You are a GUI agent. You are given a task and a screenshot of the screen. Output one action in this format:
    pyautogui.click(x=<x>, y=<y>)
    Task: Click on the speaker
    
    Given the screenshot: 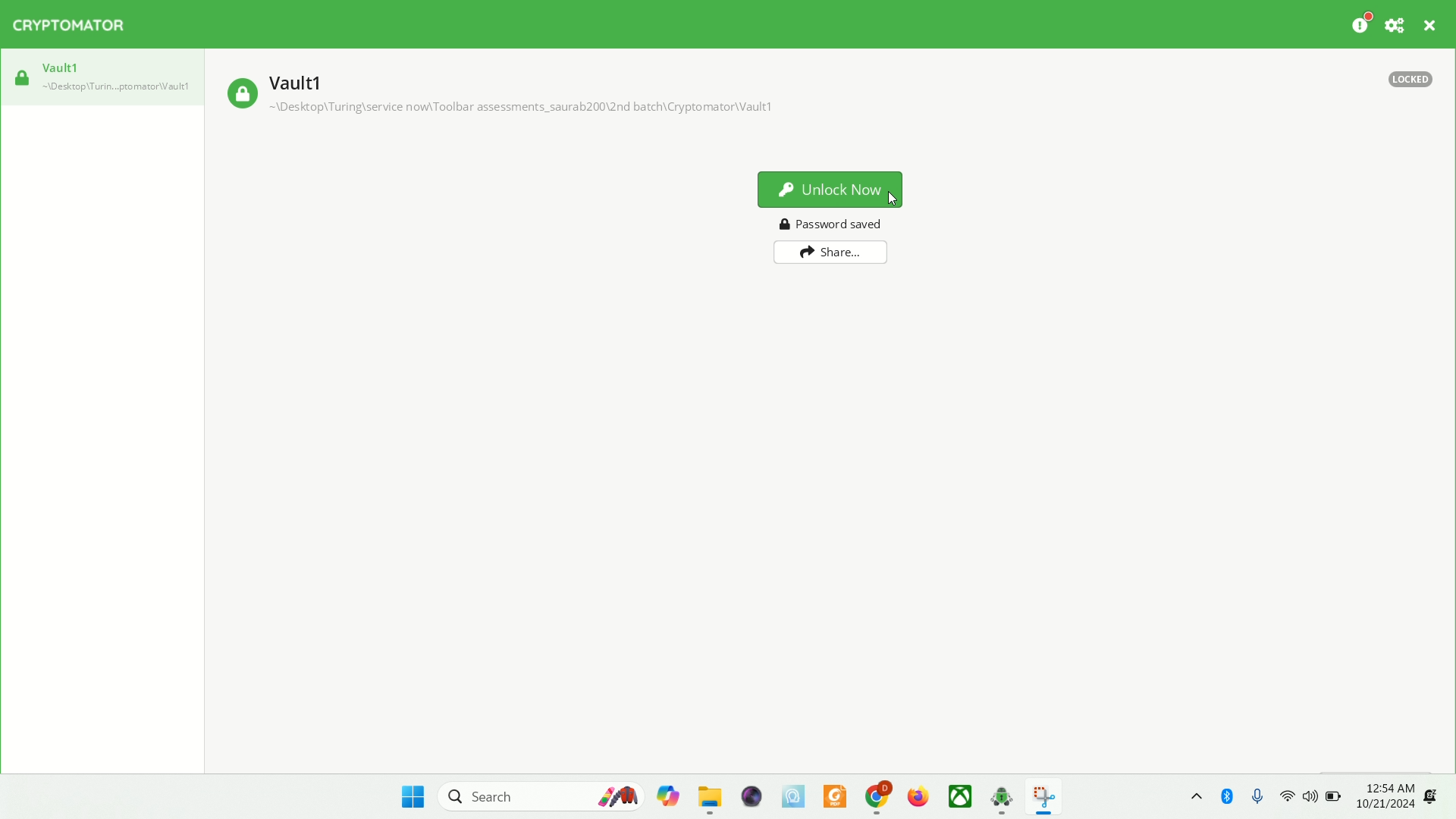 What is the action you would take?
    pyautogui.click(x=1309, y=799)
    